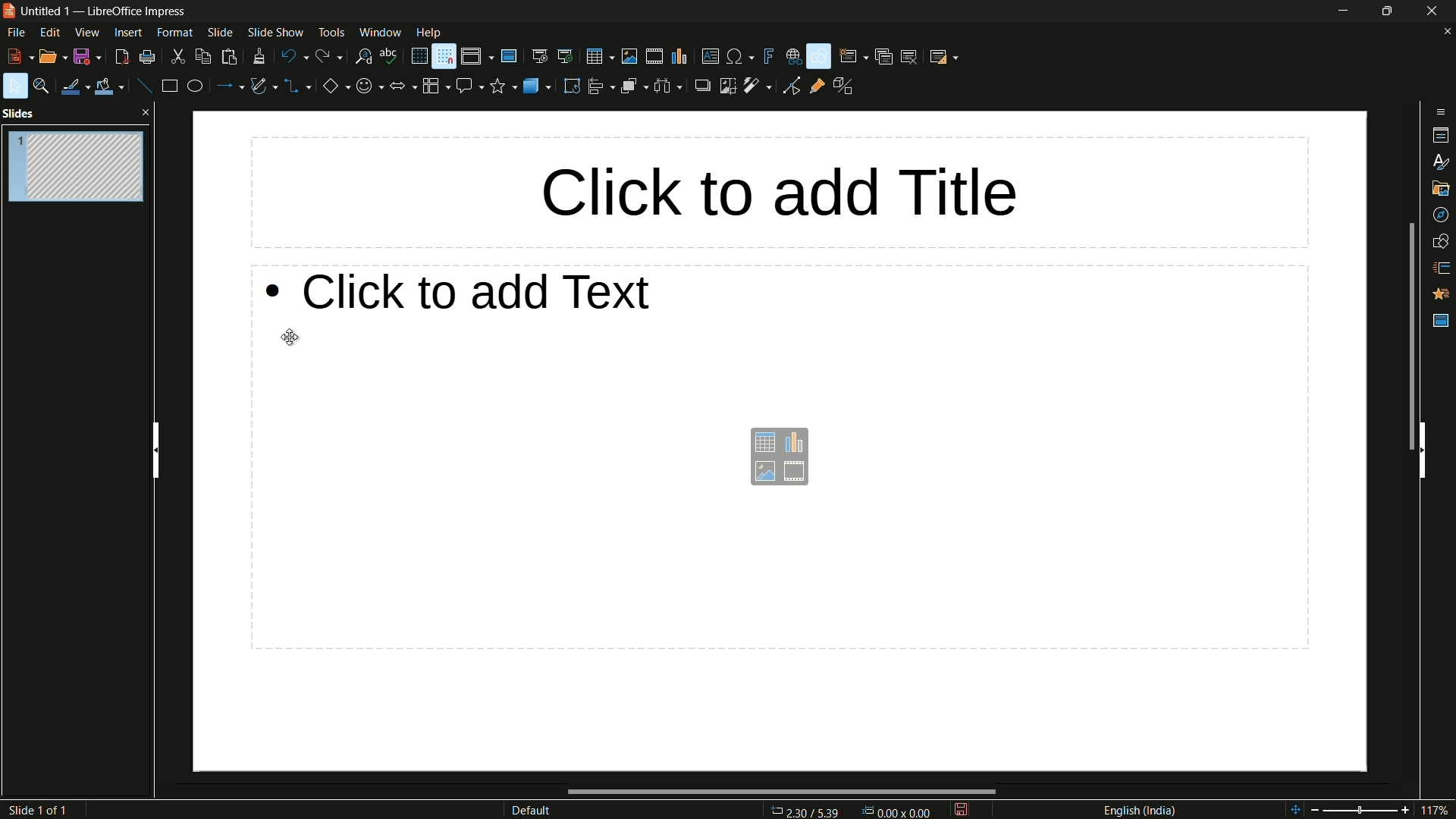 This screenshot has height=819, width=1456. I want to click on file name, so click(52, 9).